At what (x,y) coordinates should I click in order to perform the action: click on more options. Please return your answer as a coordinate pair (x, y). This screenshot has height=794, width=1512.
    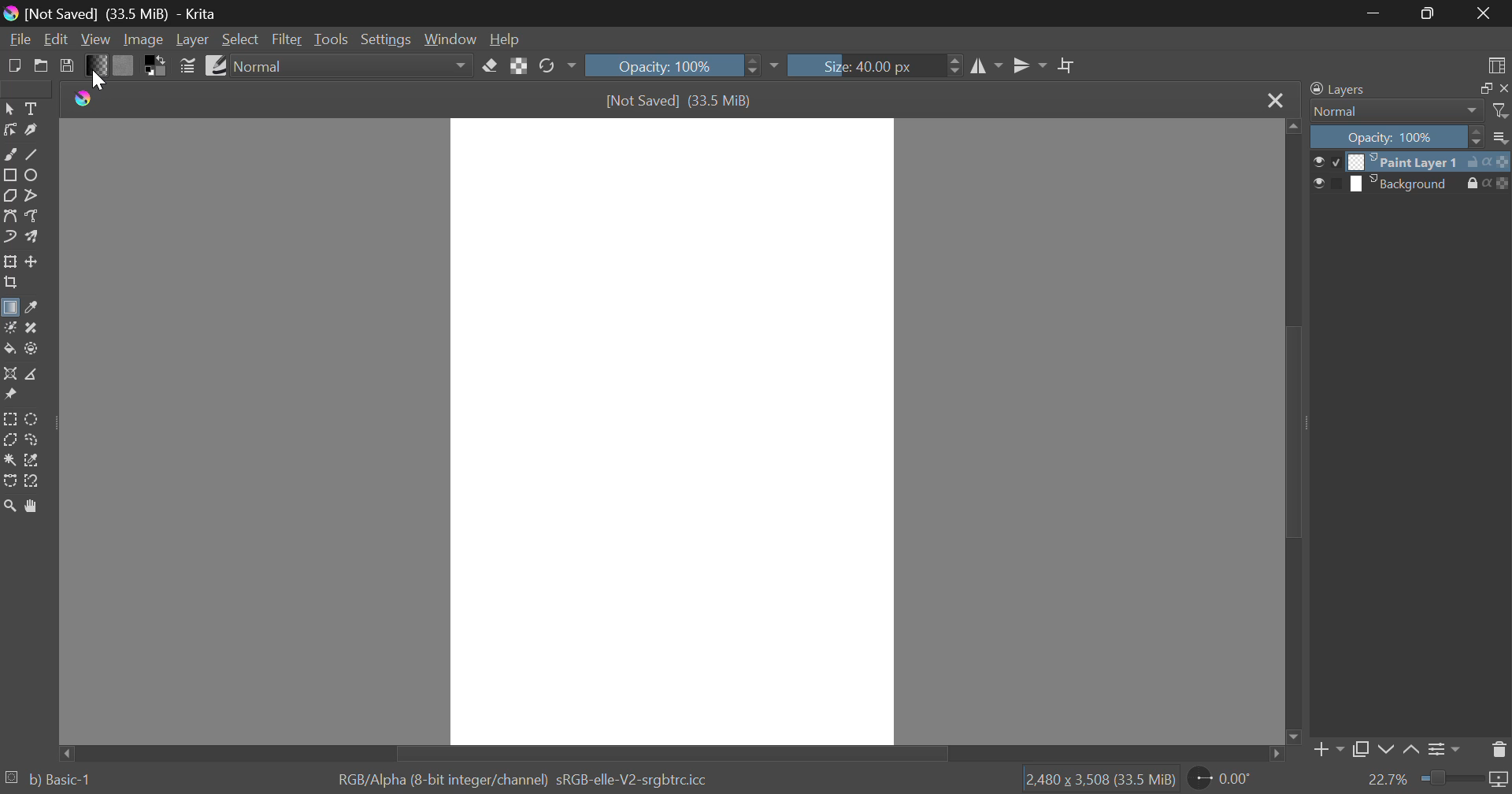
    Looking at the image, I should click on (1501, 137).